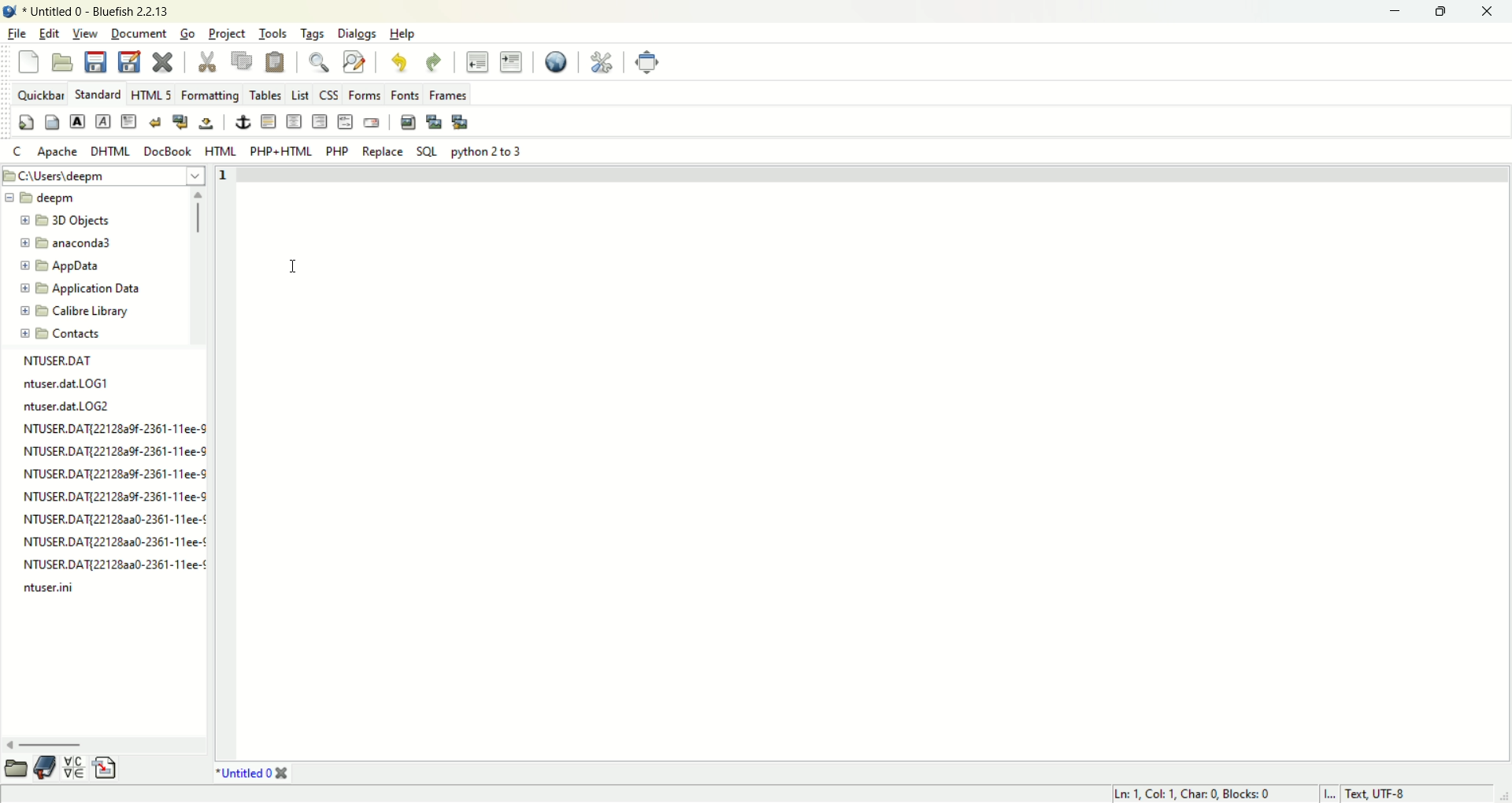 The height and width of the screenshot is (803, 1512). I want to click on List, so click(302, 94).